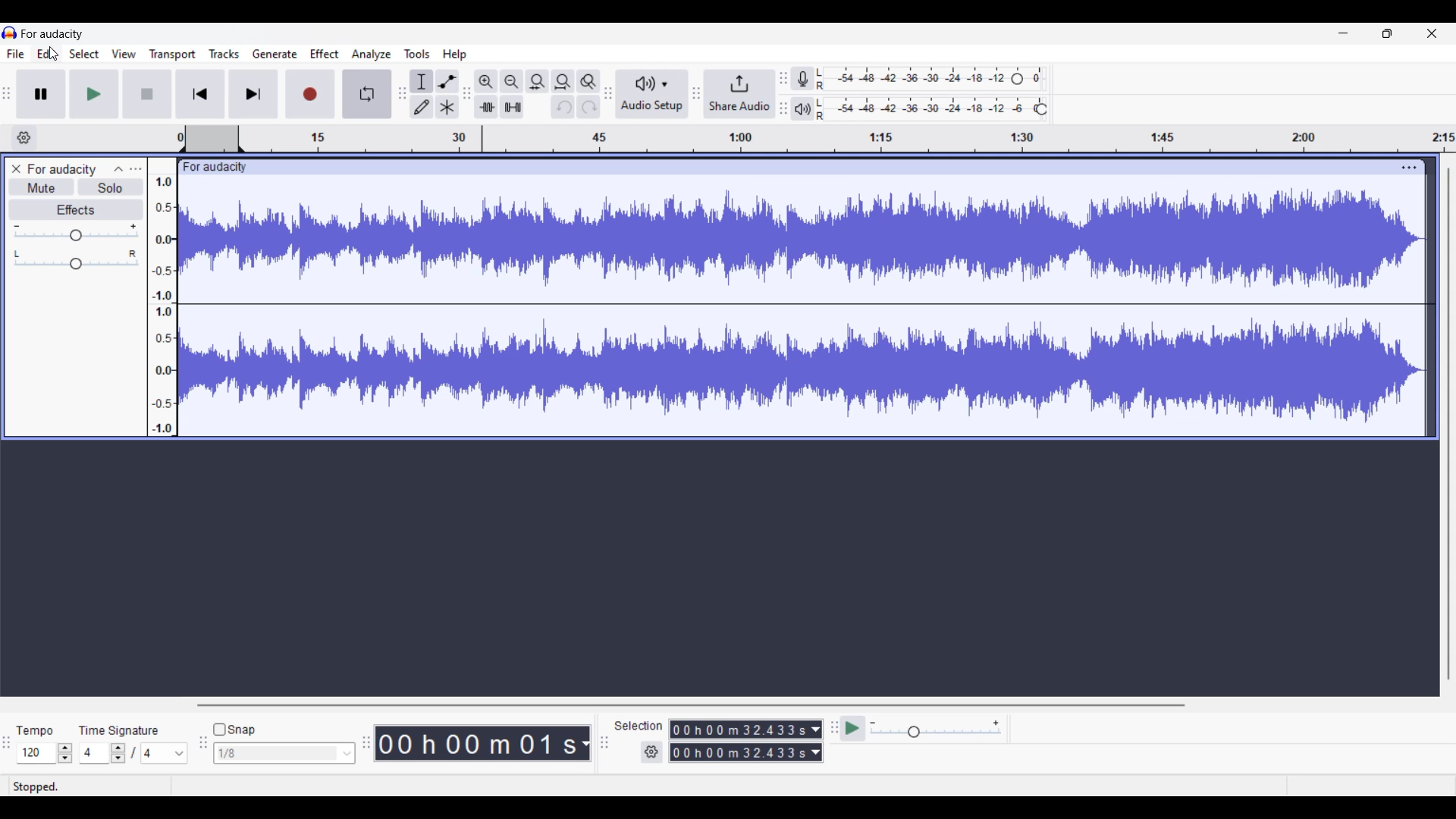 This screenshot has width=1456, height=819. What do you see at coordinates (224, 54) in the screenshot?
I see `Tracks menu` at bounding box center [224, 54].